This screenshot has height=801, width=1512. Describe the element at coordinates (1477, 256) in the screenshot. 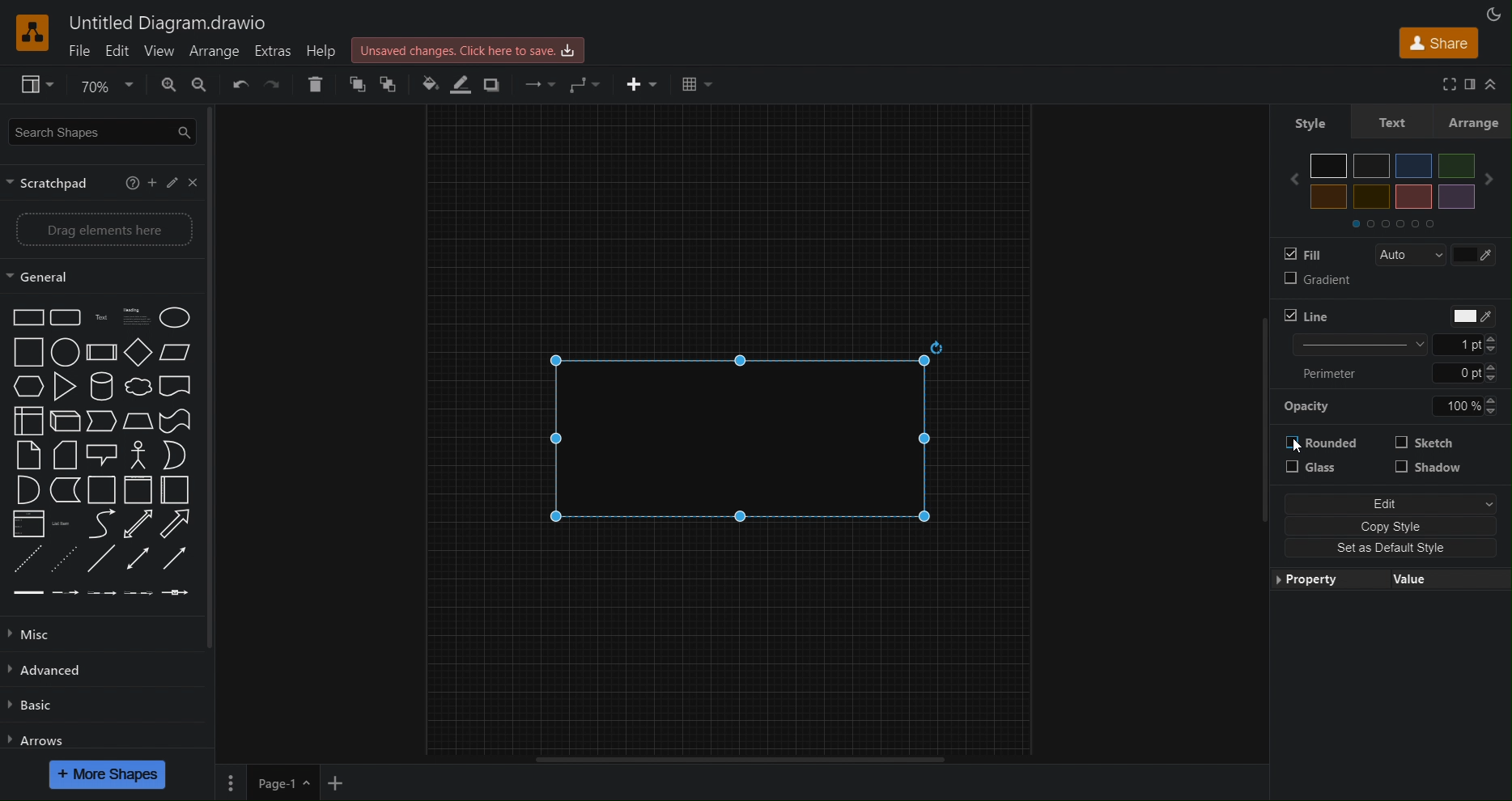

I see `Grid Color` at that location.